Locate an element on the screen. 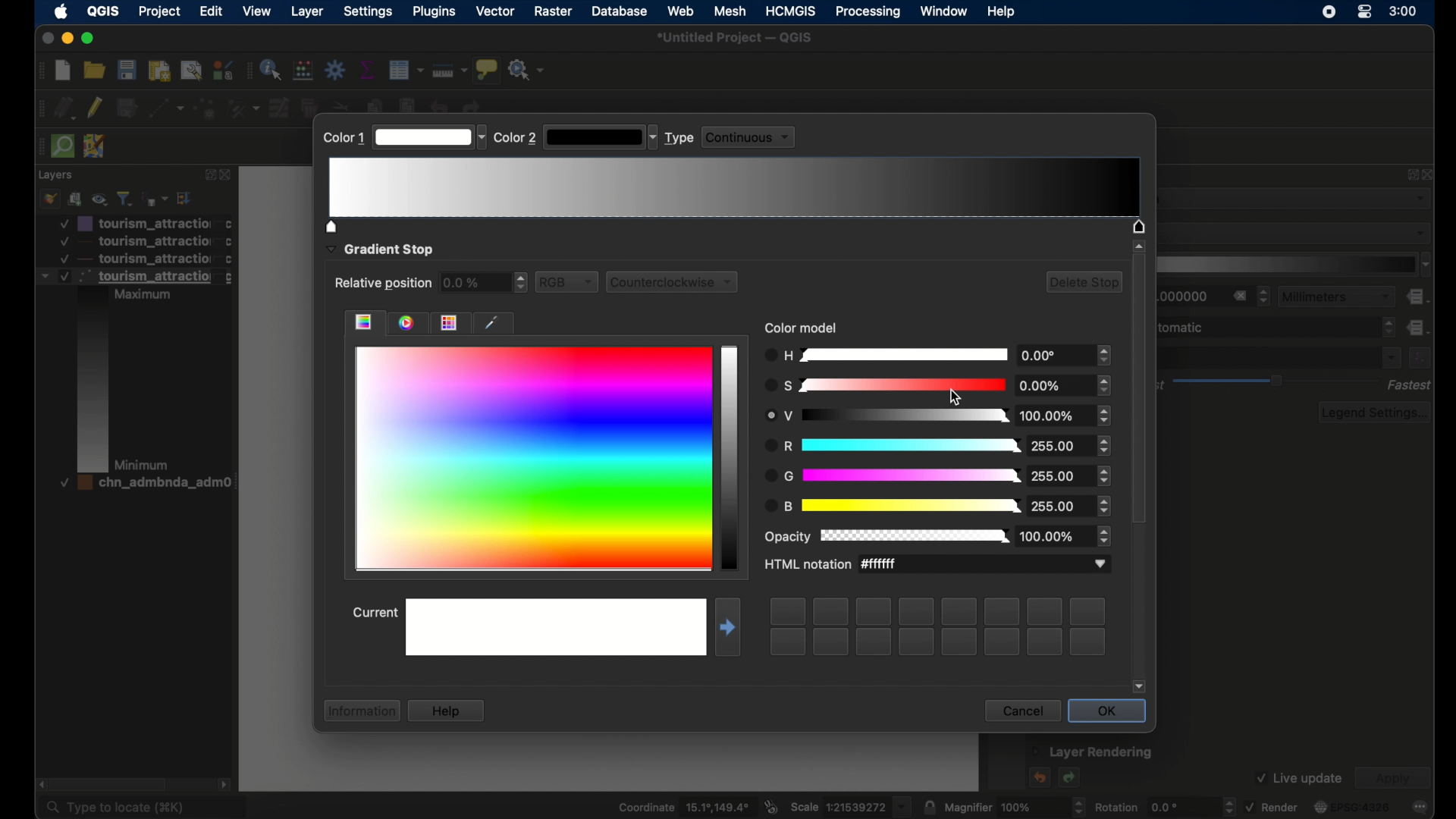 This screenshot has width=1456, height=819. RGB dropdown is located at coordinates (569, 281).